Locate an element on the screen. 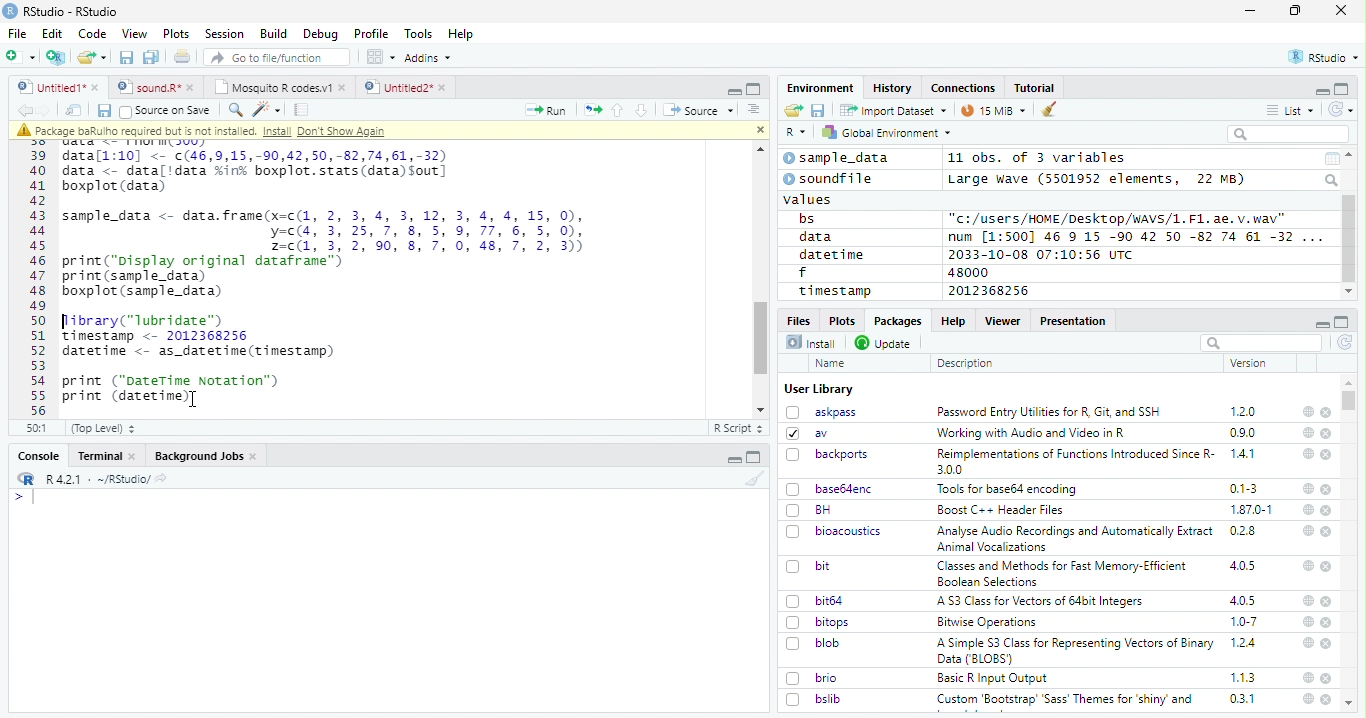  brio is located at coordinates (812, 678).